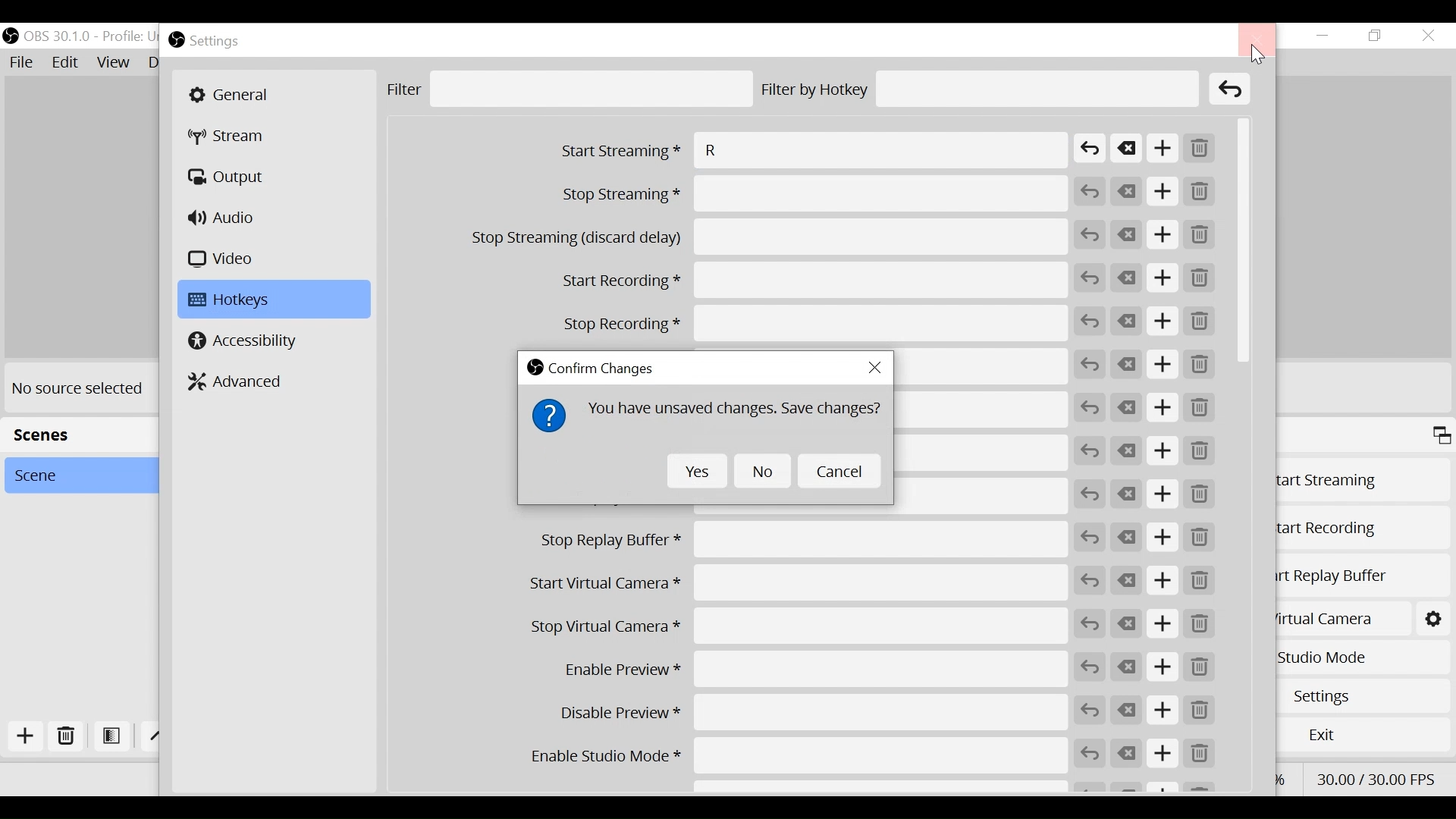  I want to click on Clear, so click(1231, 89).